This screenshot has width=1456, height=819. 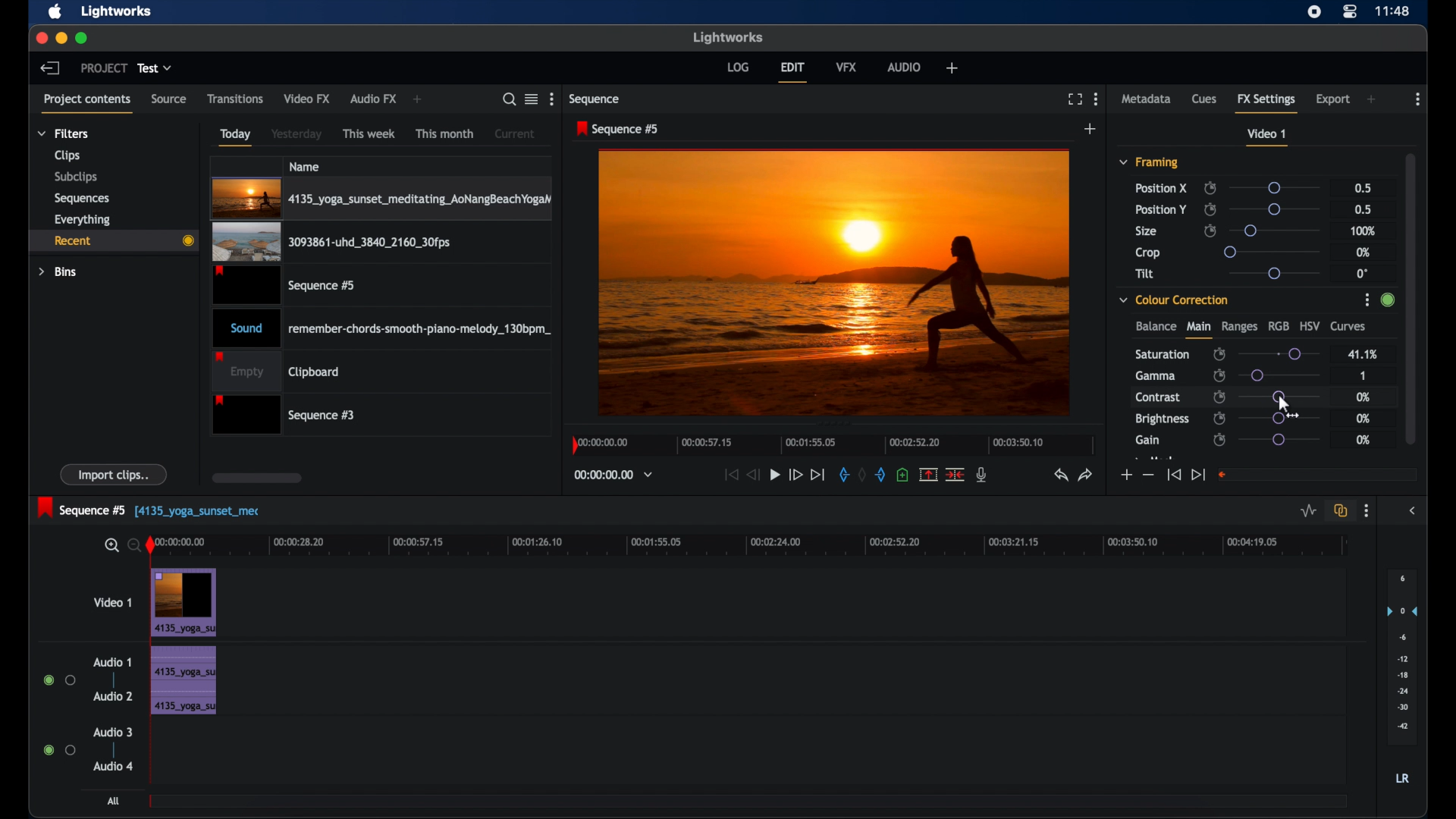 What do you see at coordinates (1367, 511) in the screenshot?
I see `more options` at bounding box center [1367, 511].